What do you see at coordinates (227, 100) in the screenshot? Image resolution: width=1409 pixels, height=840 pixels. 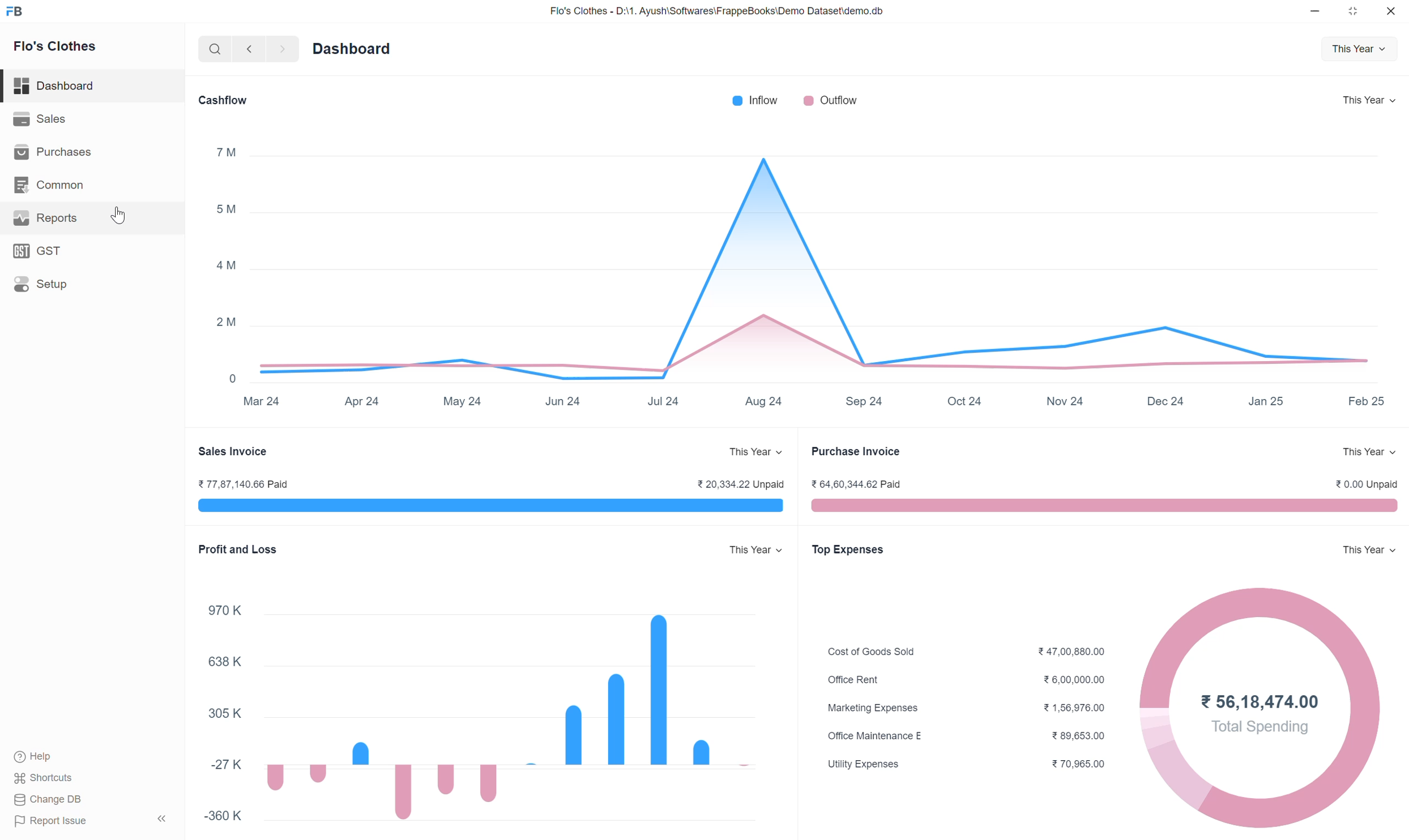 I see `cashflow` at bounding box center [227, 100].